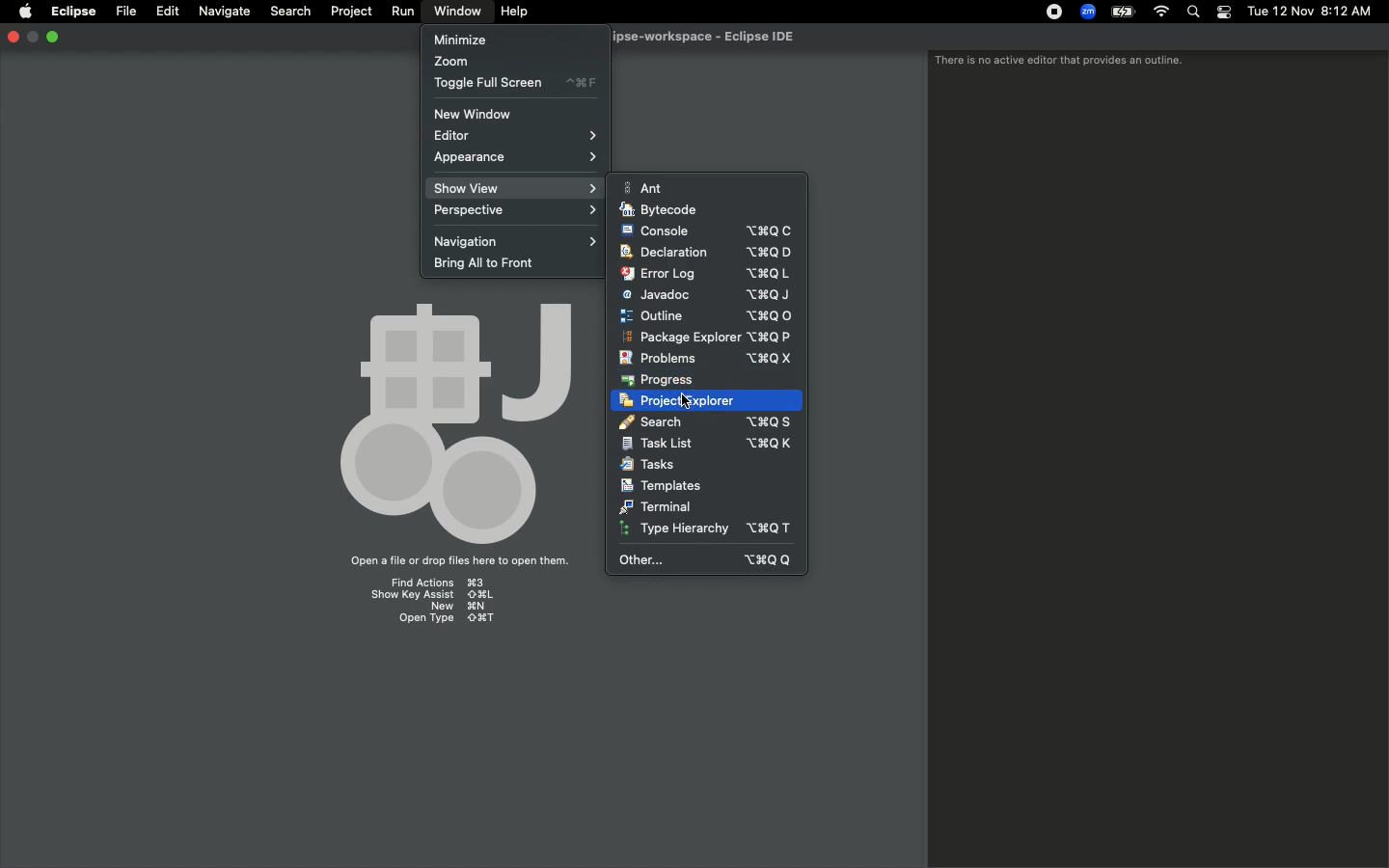  Describe the element at coordinates (707, 296) in the screenshot. I see `Javadoc` at that location.